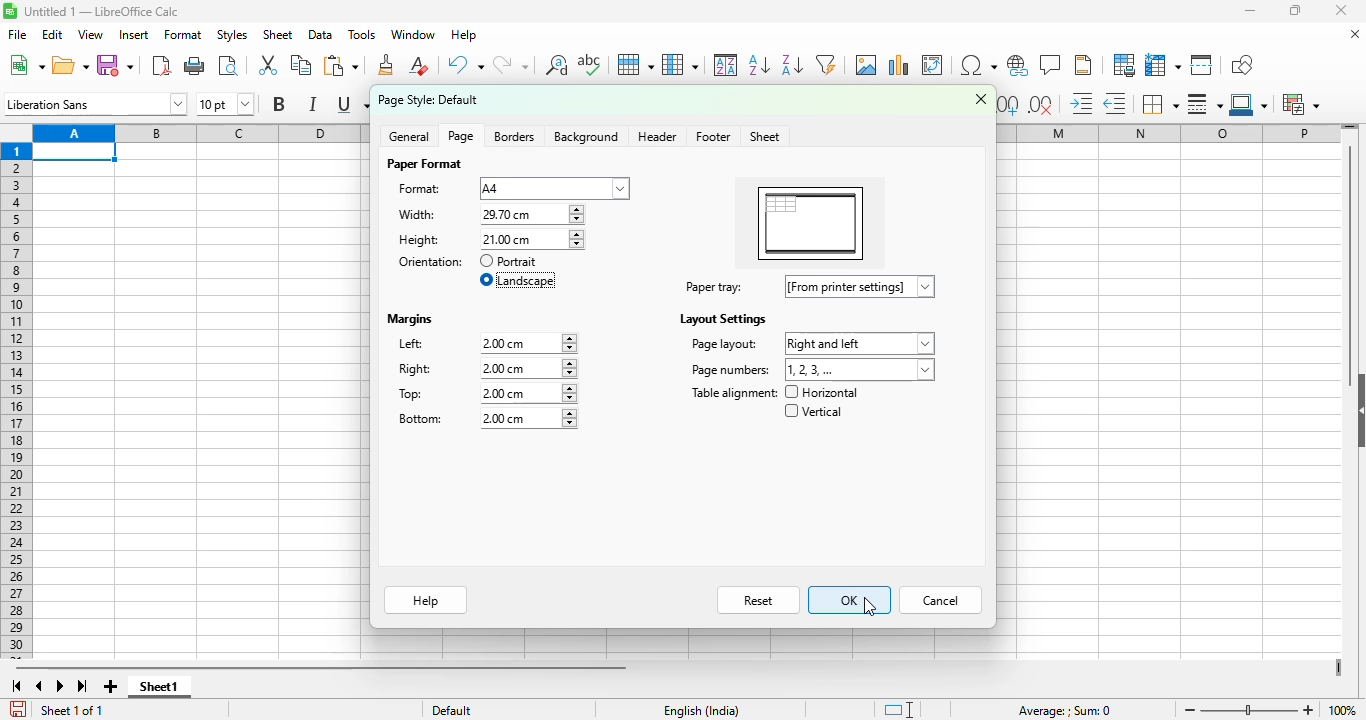 The width and height of the screenshot is (1366, 720). Describe the element at coordinates (850, 600) in the screenshot. I see `OK` at that location.